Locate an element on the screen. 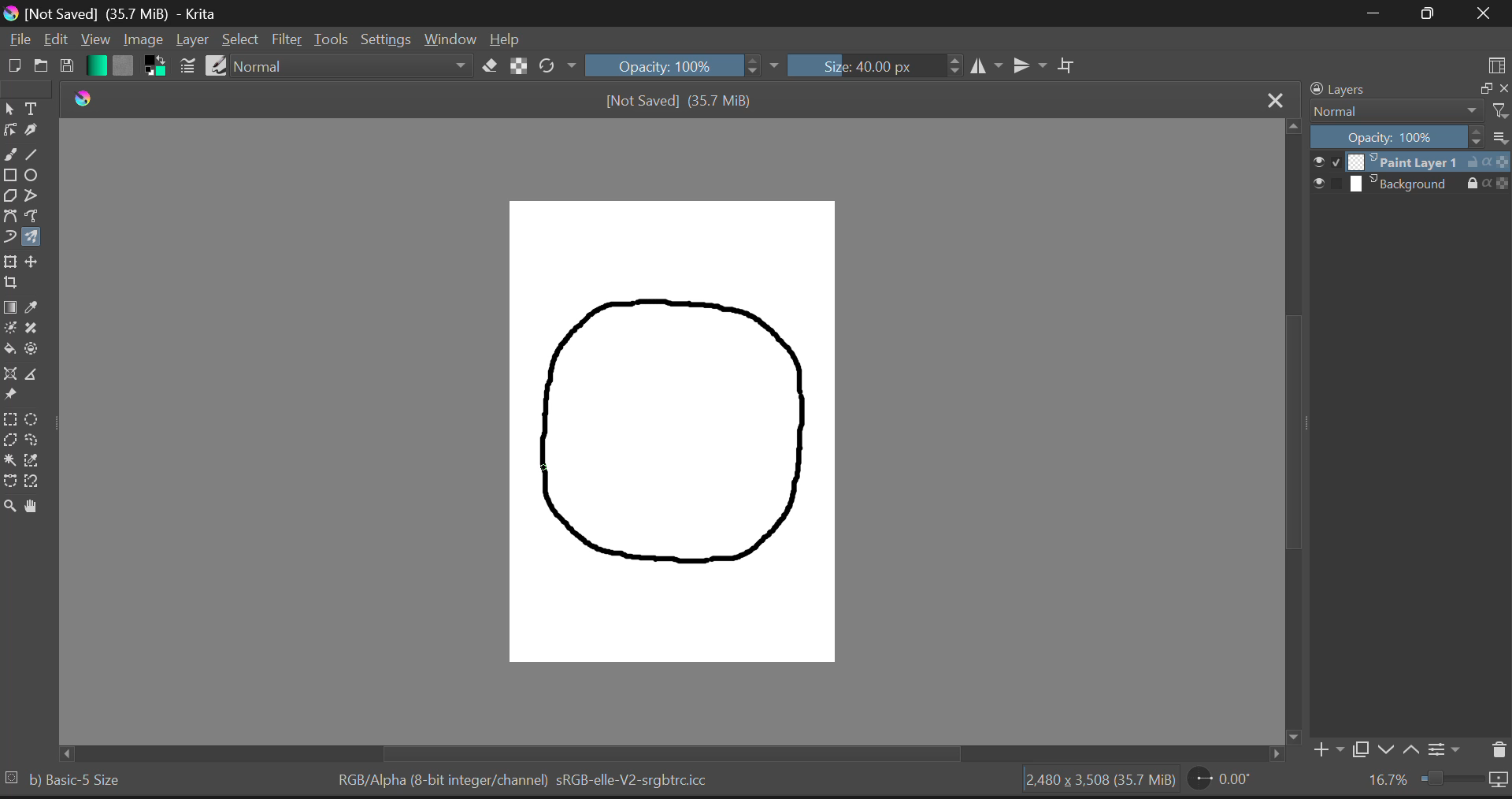 This screenshot has width=1512, height=799. RGB/Alpha (8-bit integer/channel) sRGB-elle-V2-srgbtrc.icc is located at coordinates (525, 779).